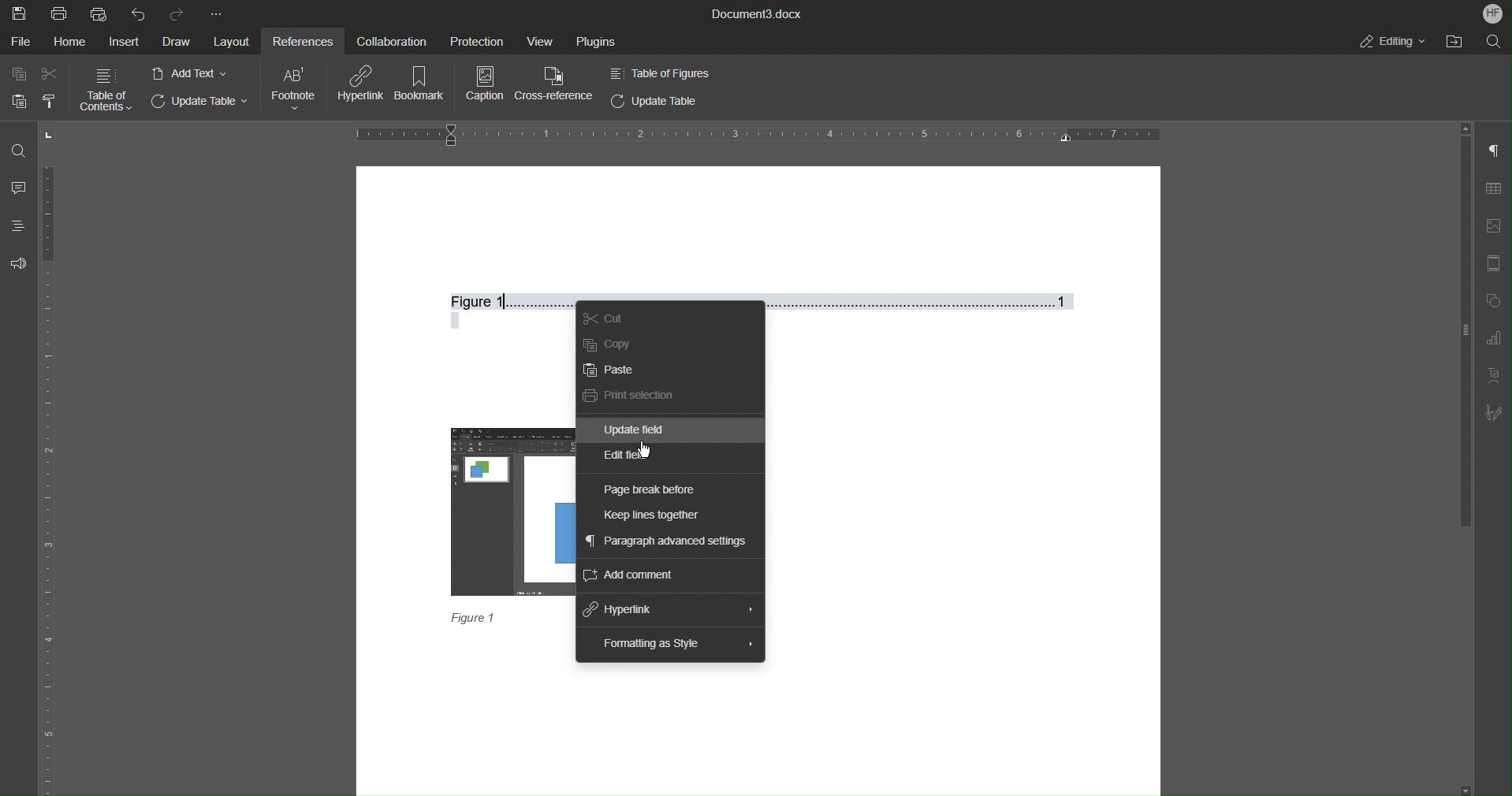 This screenshot has height=796, width=1512. Describe the element at coordinates (179, 12) in the screenshot. I see `Redo` at that location.